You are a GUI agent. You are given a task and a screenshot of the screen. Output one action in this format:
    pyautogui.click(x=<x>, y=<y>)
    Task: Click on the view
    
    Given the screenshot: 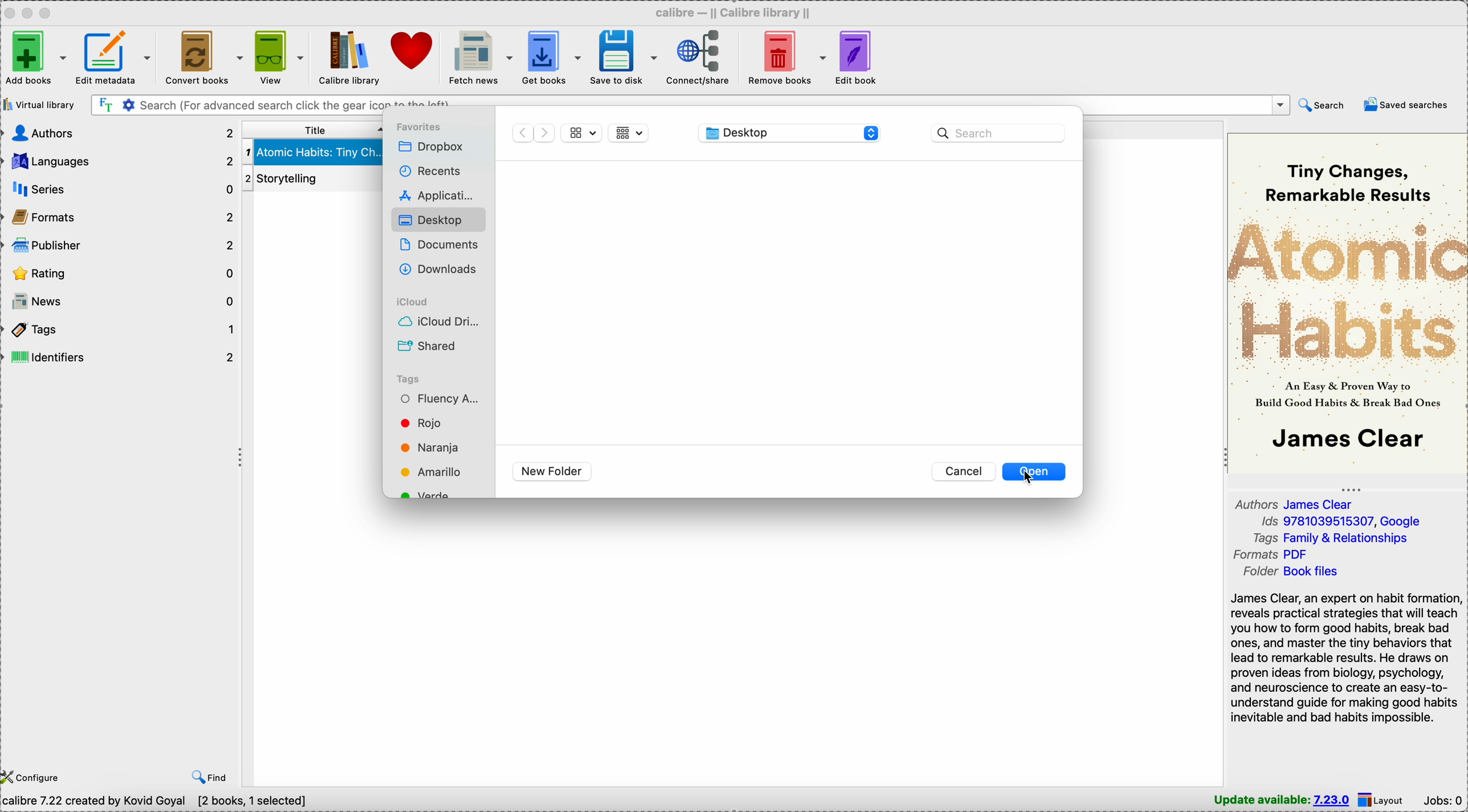 What is the action you would take?
    pyautogui.click(x=278, y=56)
    